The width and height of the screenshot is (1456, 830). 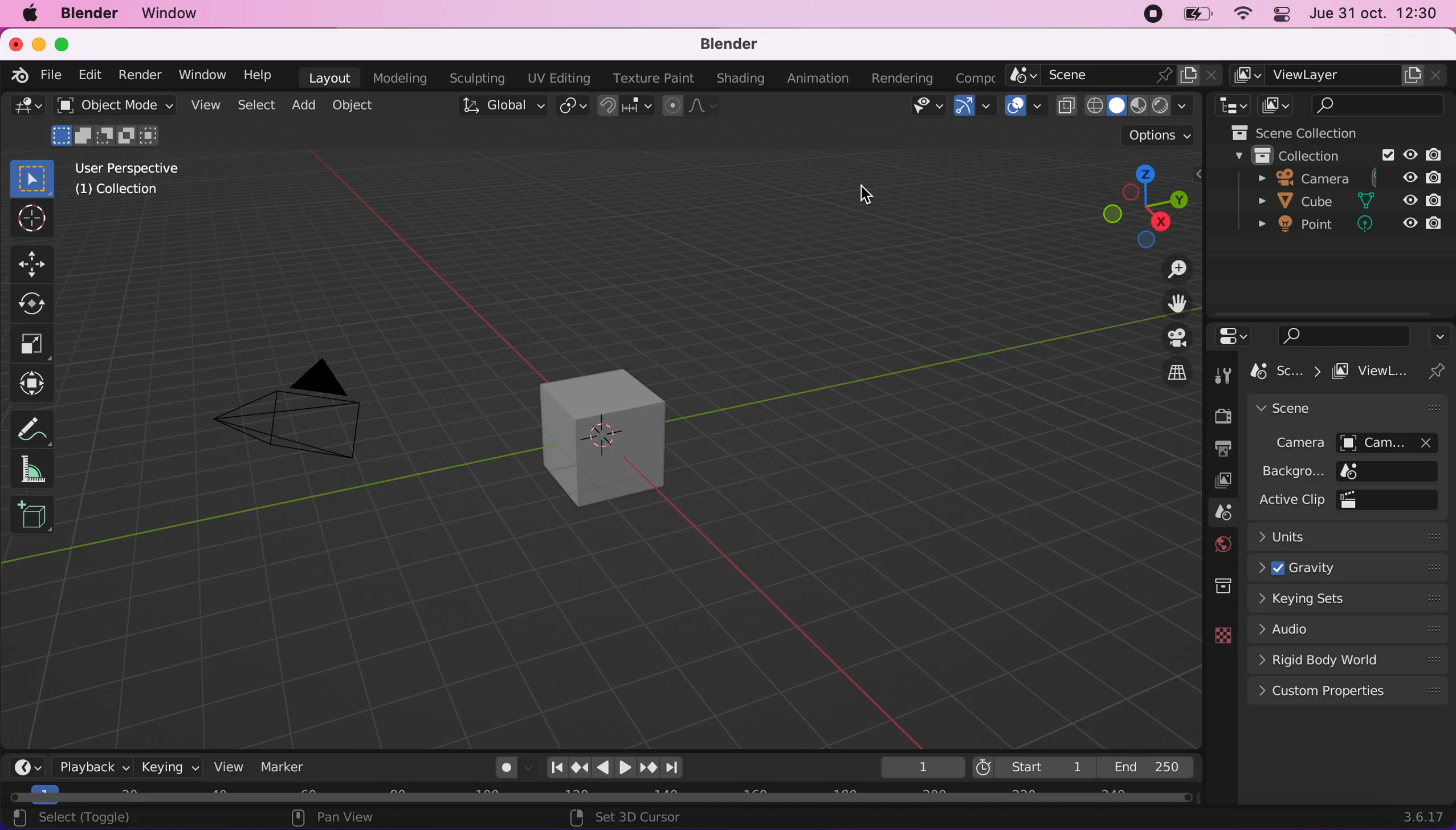 What do you see at coordinates (1246, 14) in the screenshot?
I see `wifi` at bounding box center [1246, 14].